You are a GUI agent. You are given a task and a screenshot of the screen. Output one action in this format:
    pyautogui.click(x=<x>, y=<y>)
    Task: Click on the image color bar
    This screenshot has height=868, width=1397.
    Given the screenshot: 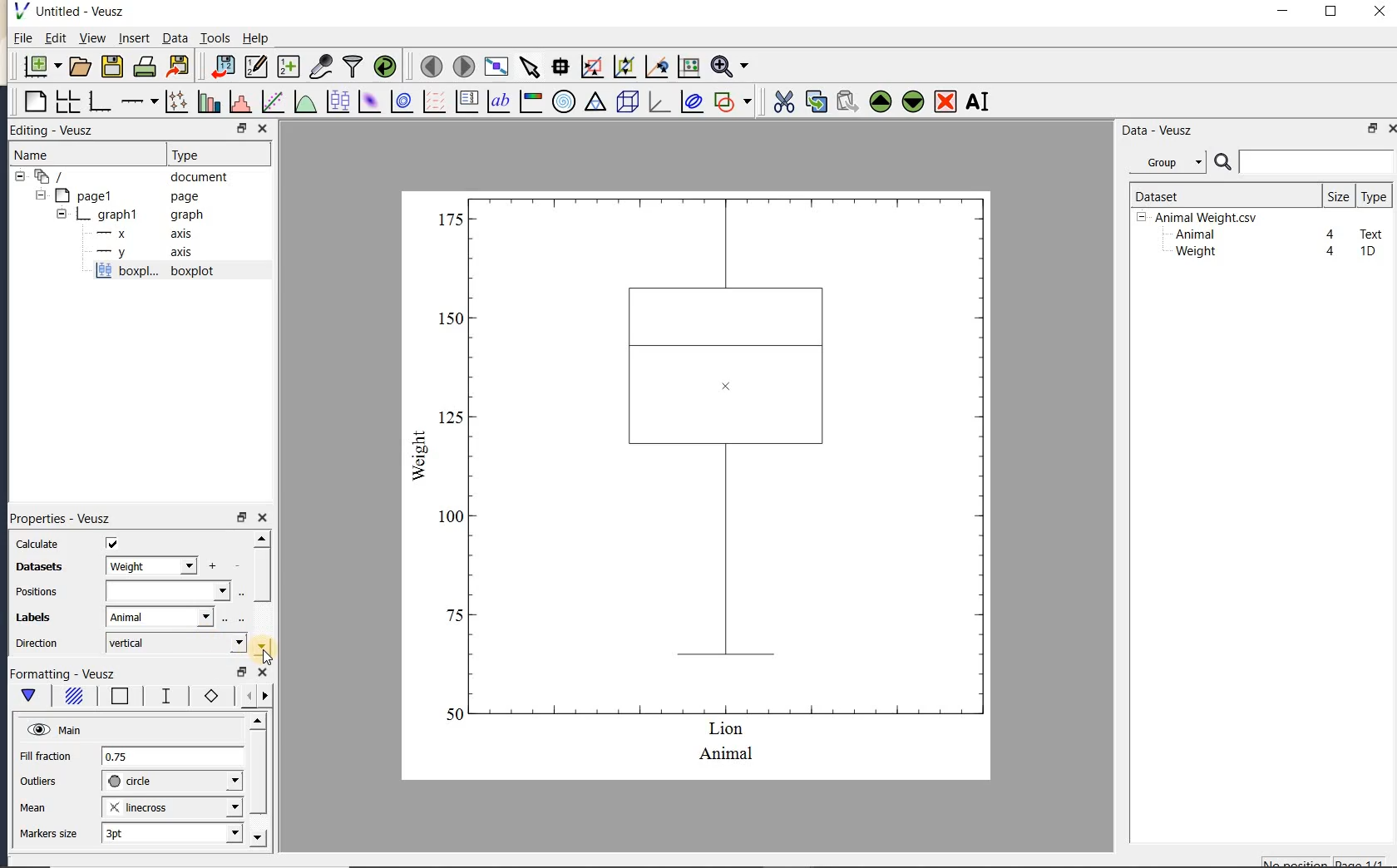 What is the action you would take?
    pyautogui.click(x=531, y=101)
    